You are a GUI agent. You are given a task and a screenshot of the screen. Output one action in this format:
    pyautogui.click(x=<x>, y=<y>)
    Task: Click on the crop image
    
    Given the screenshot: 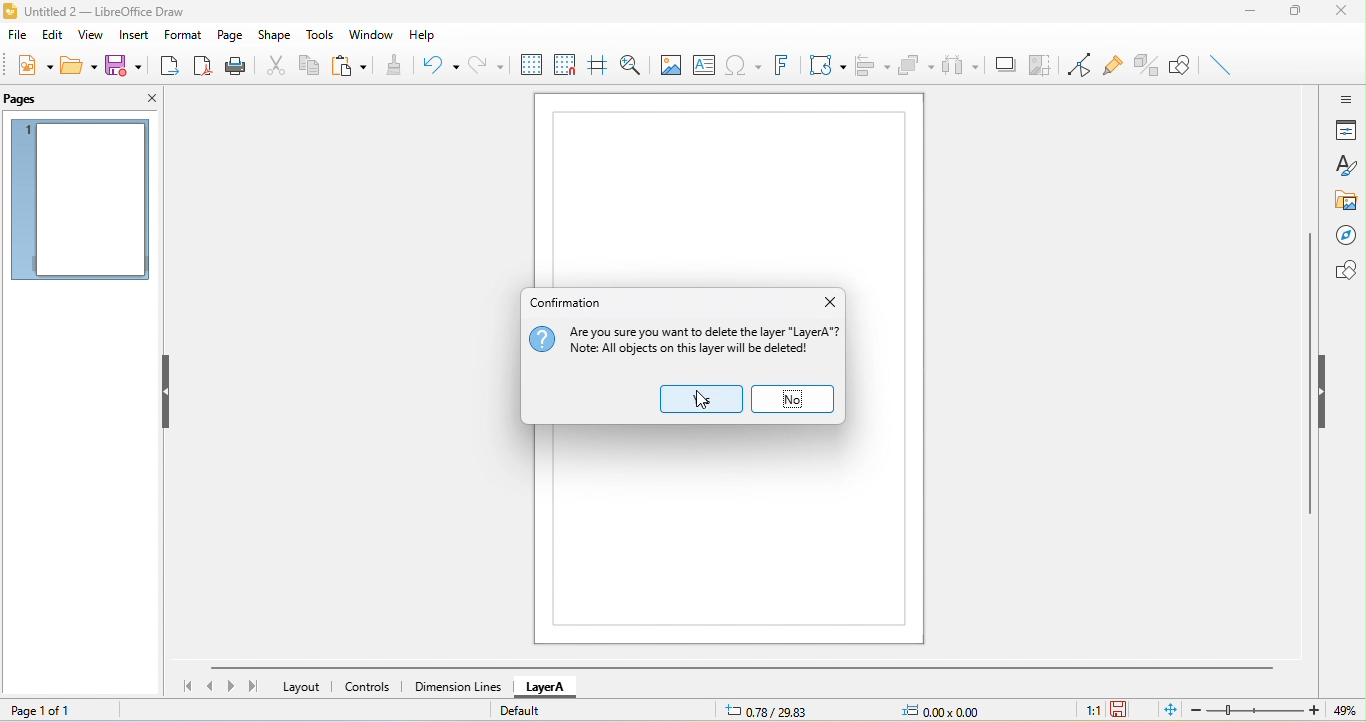 What is the action you would take?
    pyautogui.click(x=1041, y=63)
    